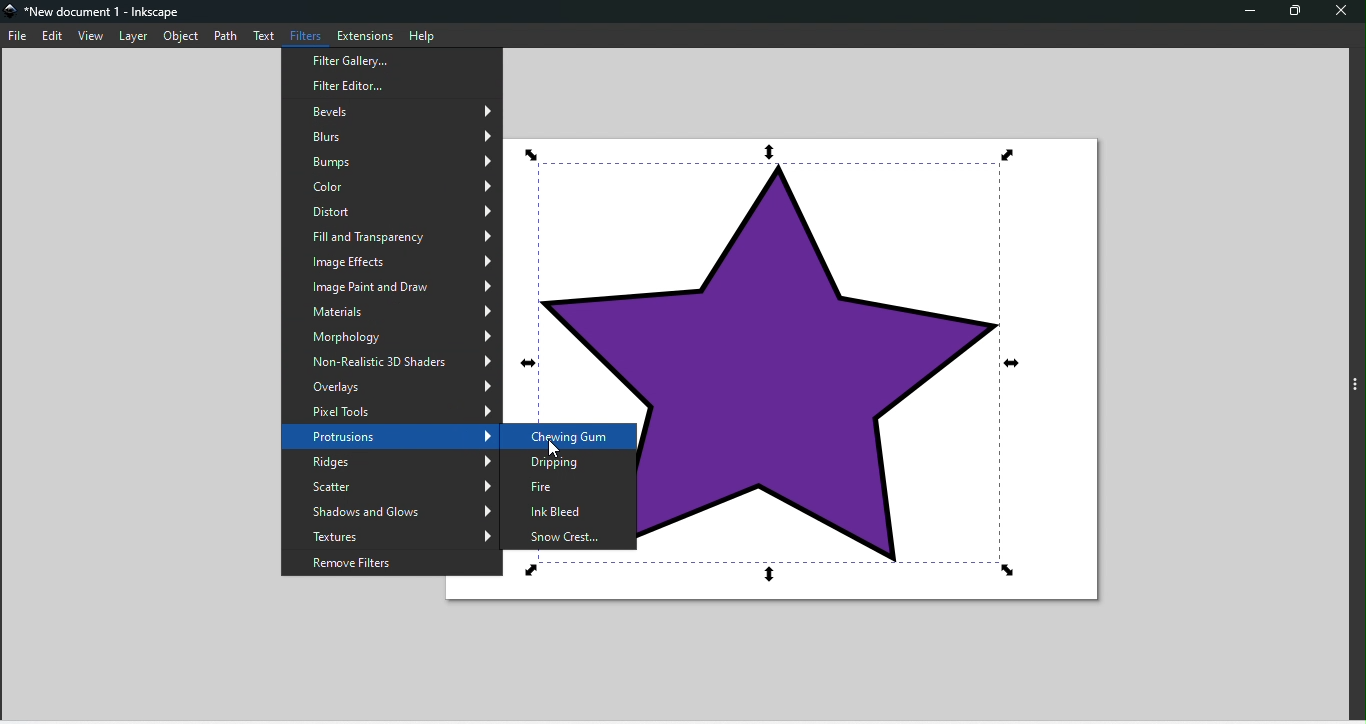 The image size is (1366, 724). What do you see at coordinates (384, 561) in the screenshot?
I see `Remove filters` at bounding box center [384, 561].